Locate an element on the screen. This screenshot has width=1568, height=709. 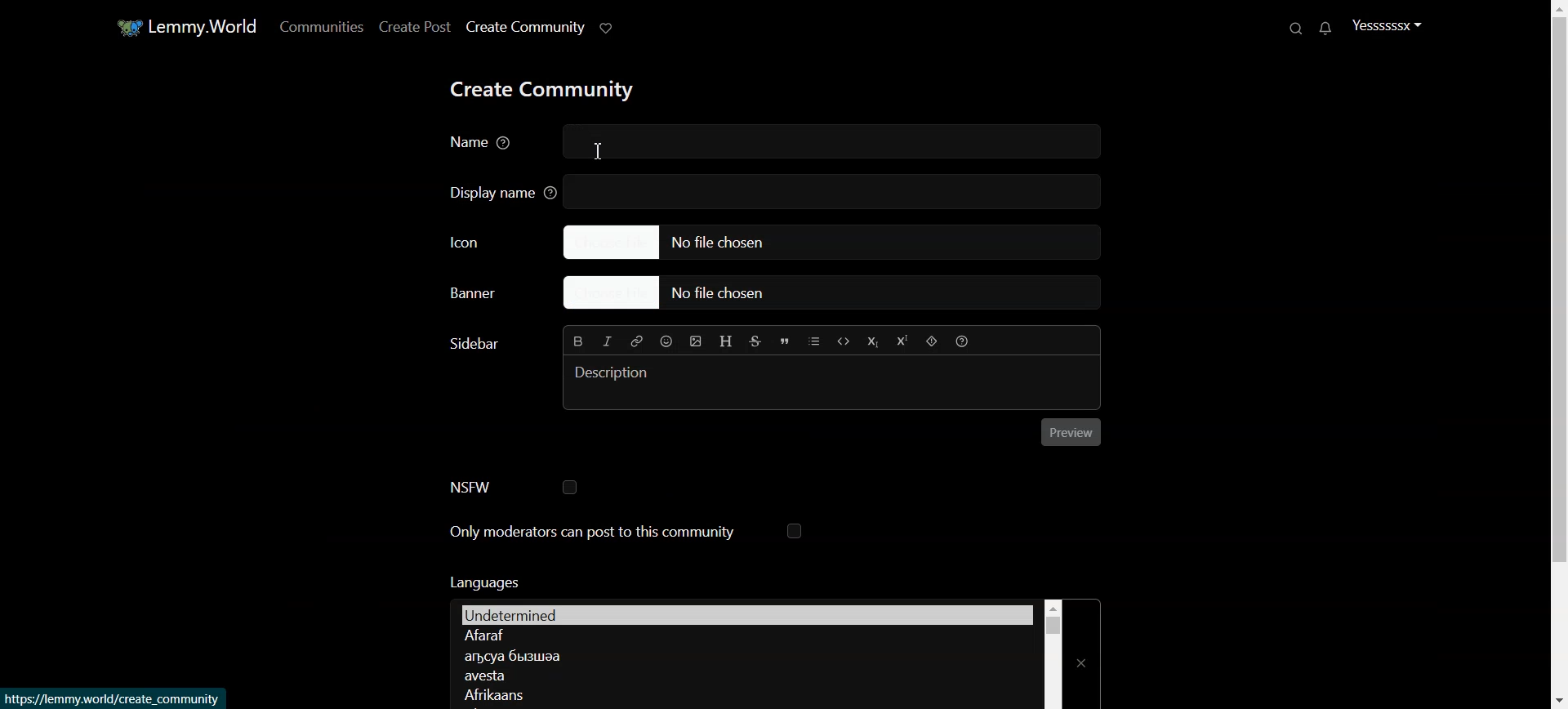
Bold is located at coordinates (579, 340).